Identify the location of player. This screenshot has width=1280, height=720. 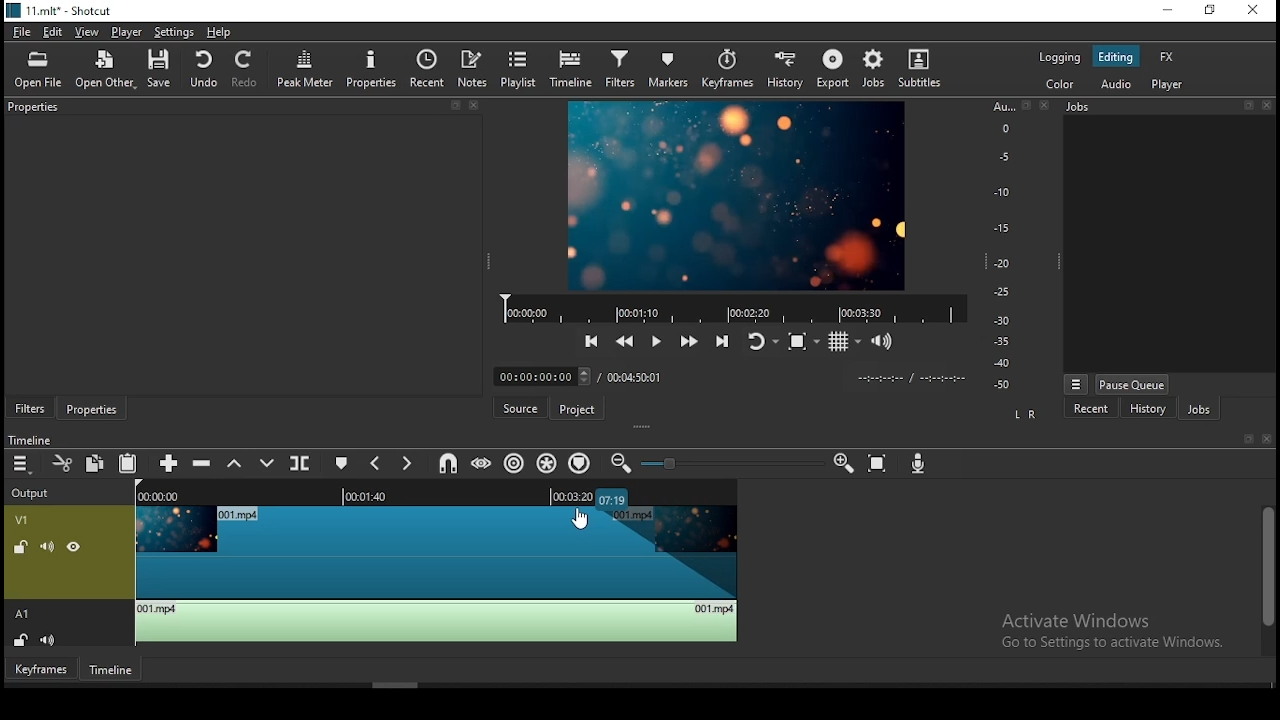
(1167, 83).